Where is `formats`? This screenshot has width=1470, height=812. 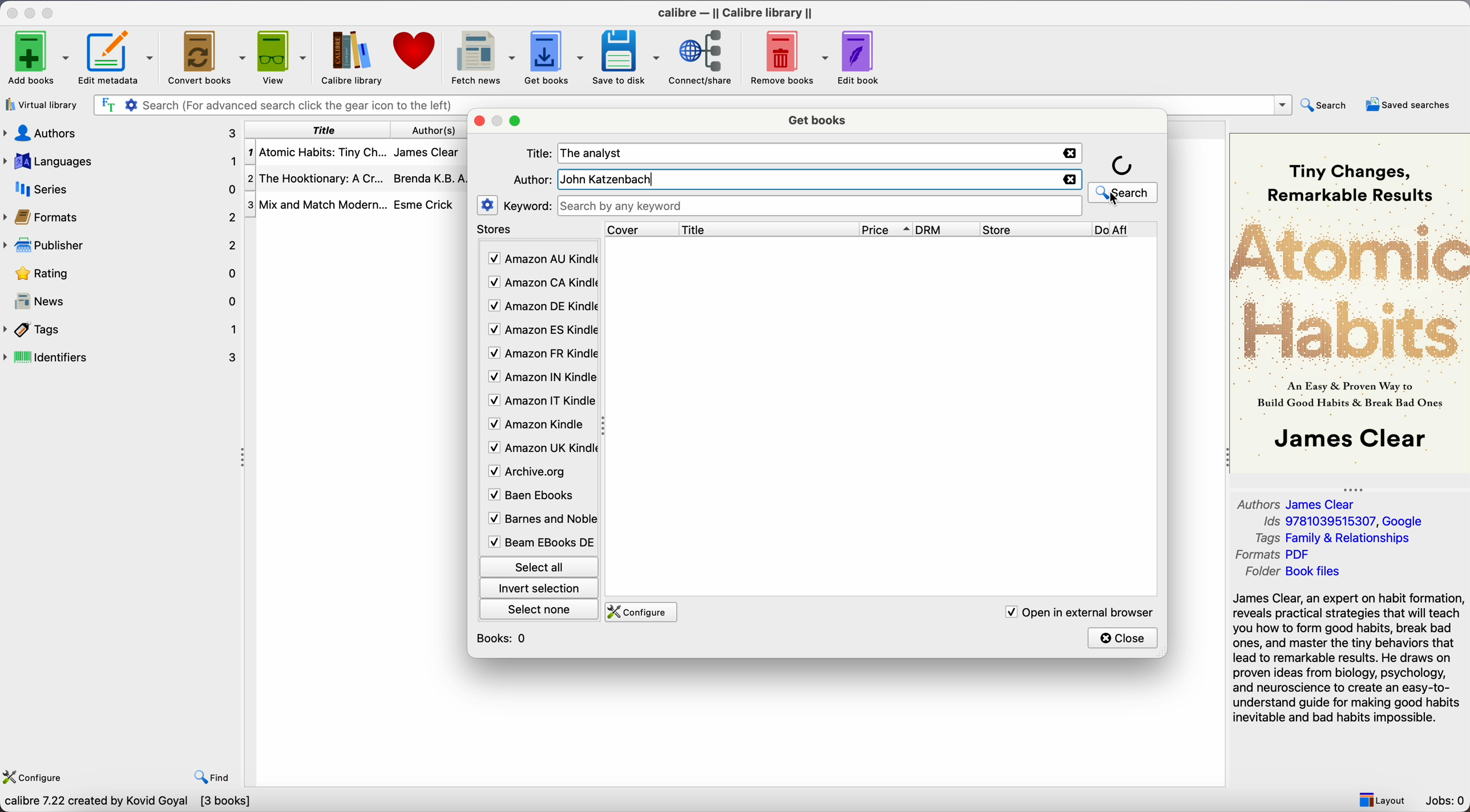
formats is located at coordinates (123, 217).